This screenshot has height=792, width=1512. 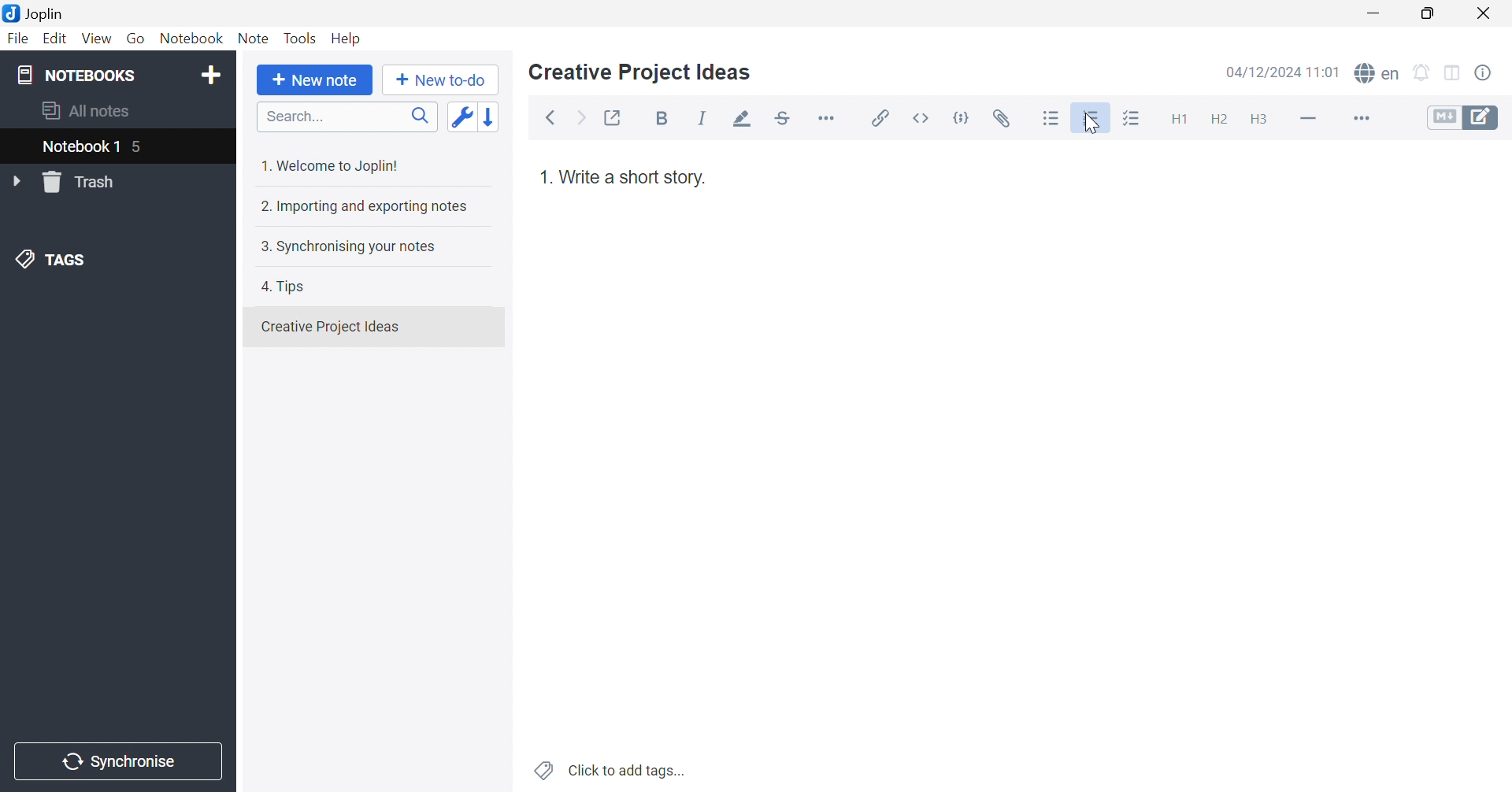 What do you see at coordinates (302, 37) in the screenshot?
I see `Tools` at bounding box center [302, 37].